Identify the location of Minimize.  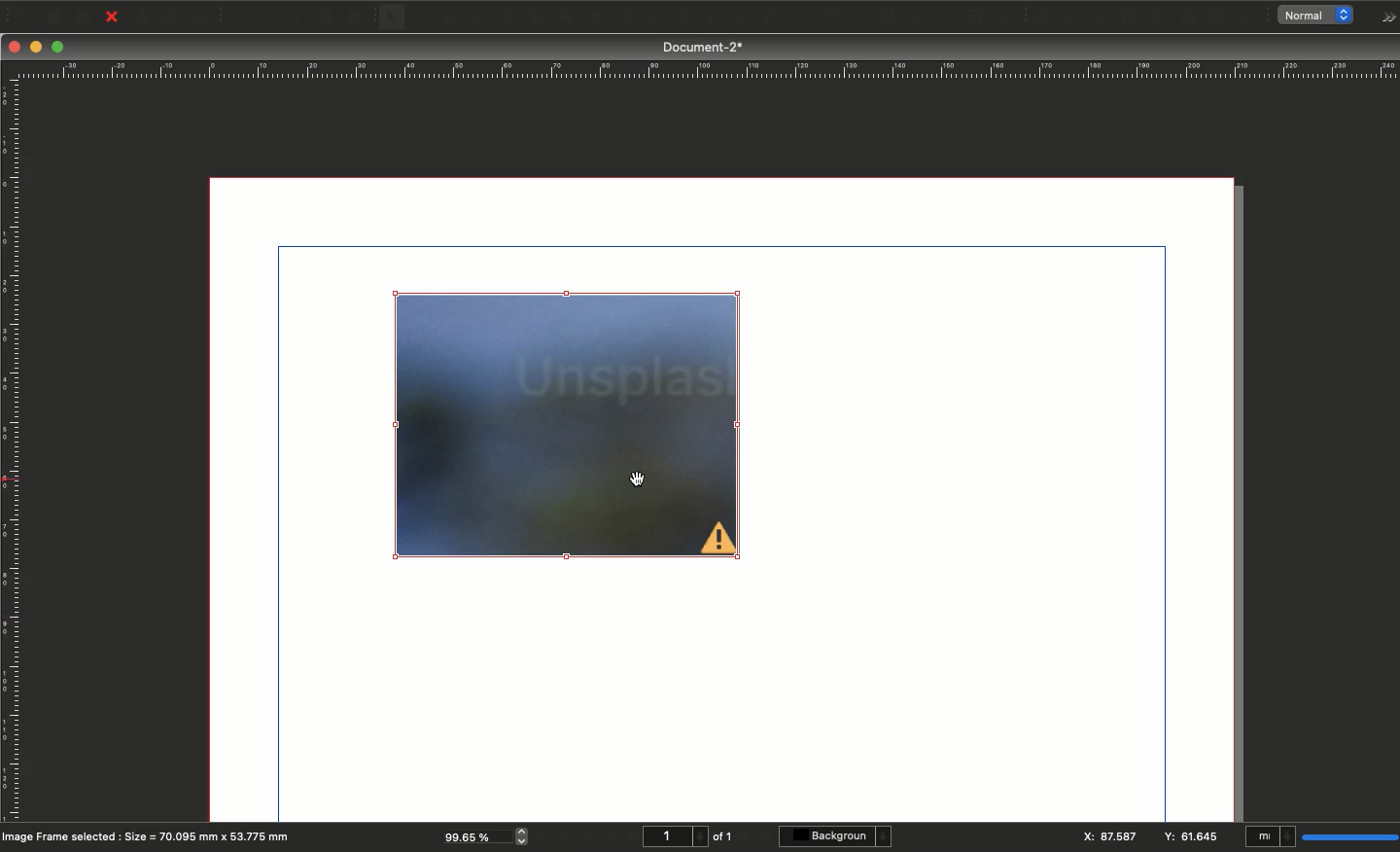
(38, 48).